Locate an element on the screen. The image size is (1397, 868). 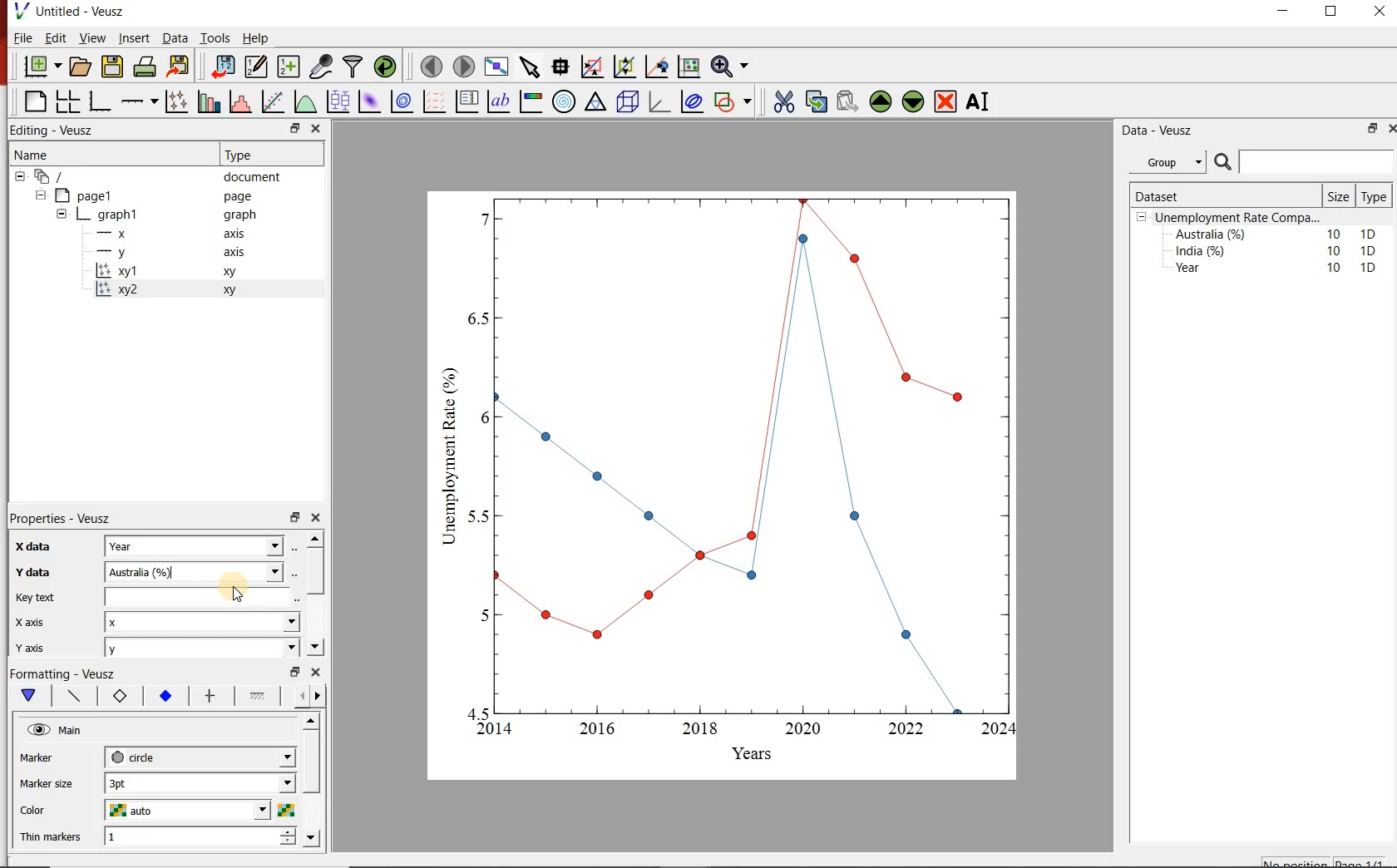
close is located at coordinates (1378, 15).